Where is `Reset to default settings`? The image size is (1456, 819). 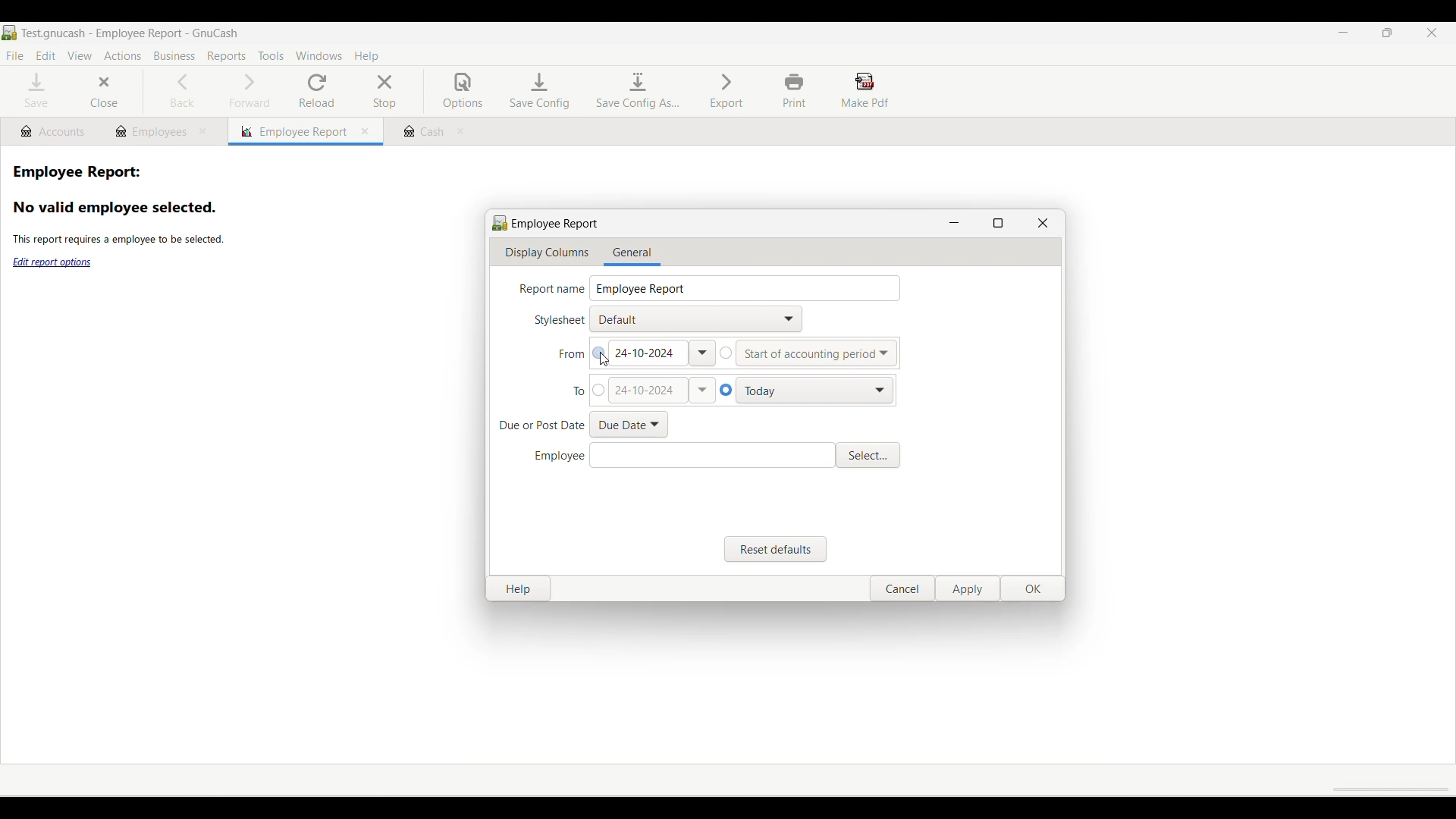
Reset to default settings is located at coordinates (775, 549).